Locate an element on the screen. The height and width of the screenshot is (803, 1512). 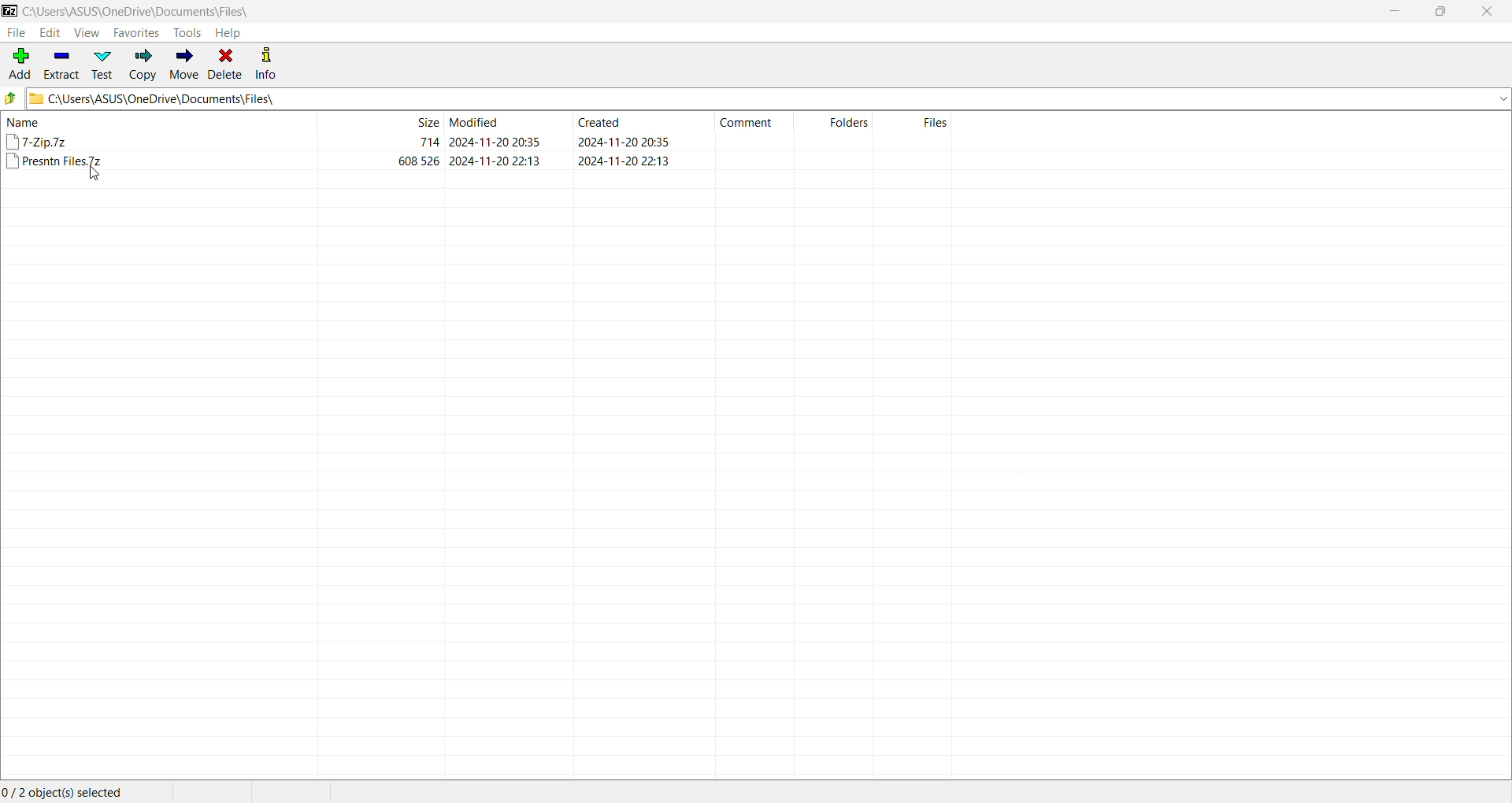
size is located at coordinates (428, 142).